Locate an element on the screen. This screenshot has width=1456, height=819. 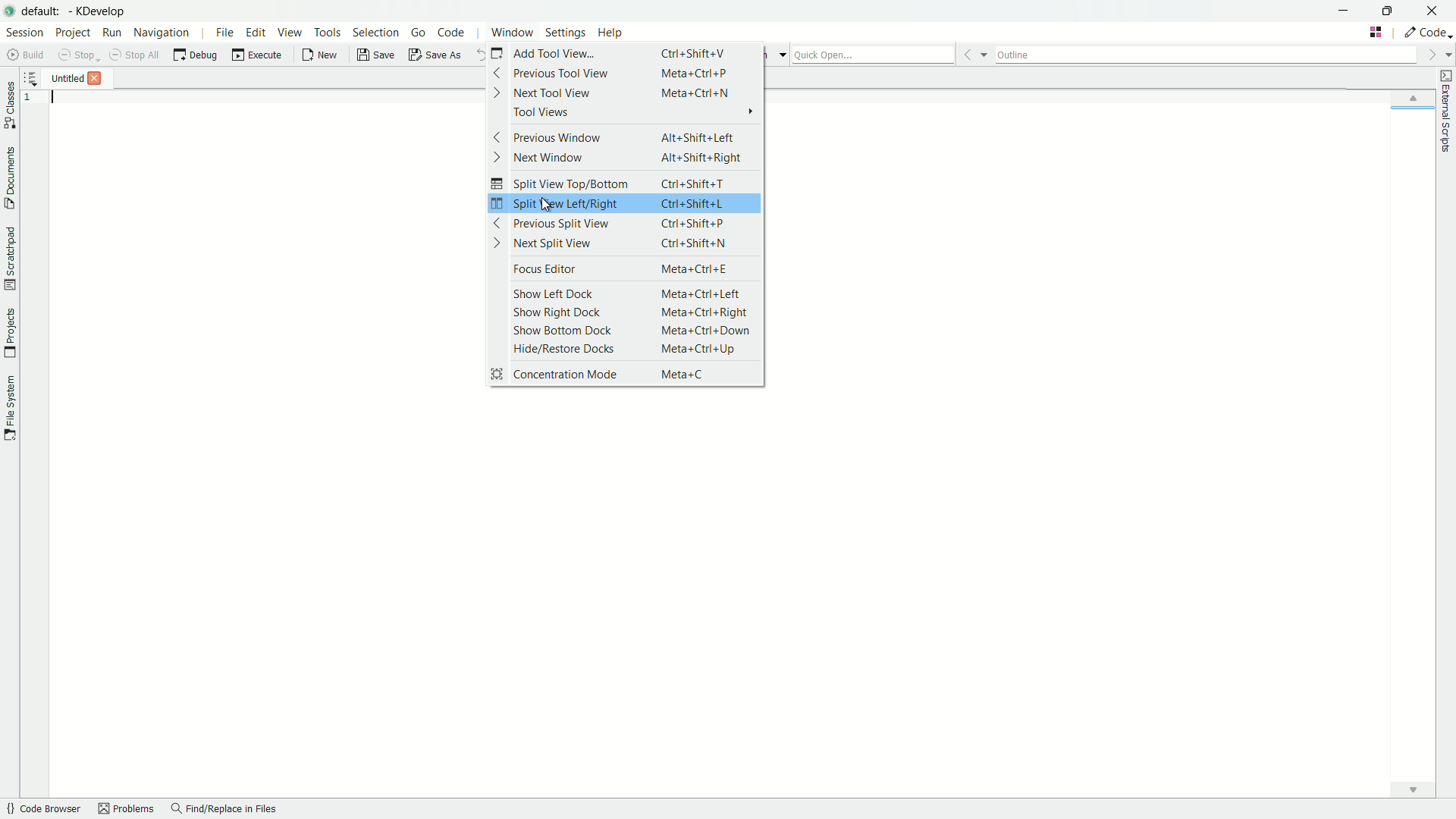
app name is located at coordinates (100, 11).